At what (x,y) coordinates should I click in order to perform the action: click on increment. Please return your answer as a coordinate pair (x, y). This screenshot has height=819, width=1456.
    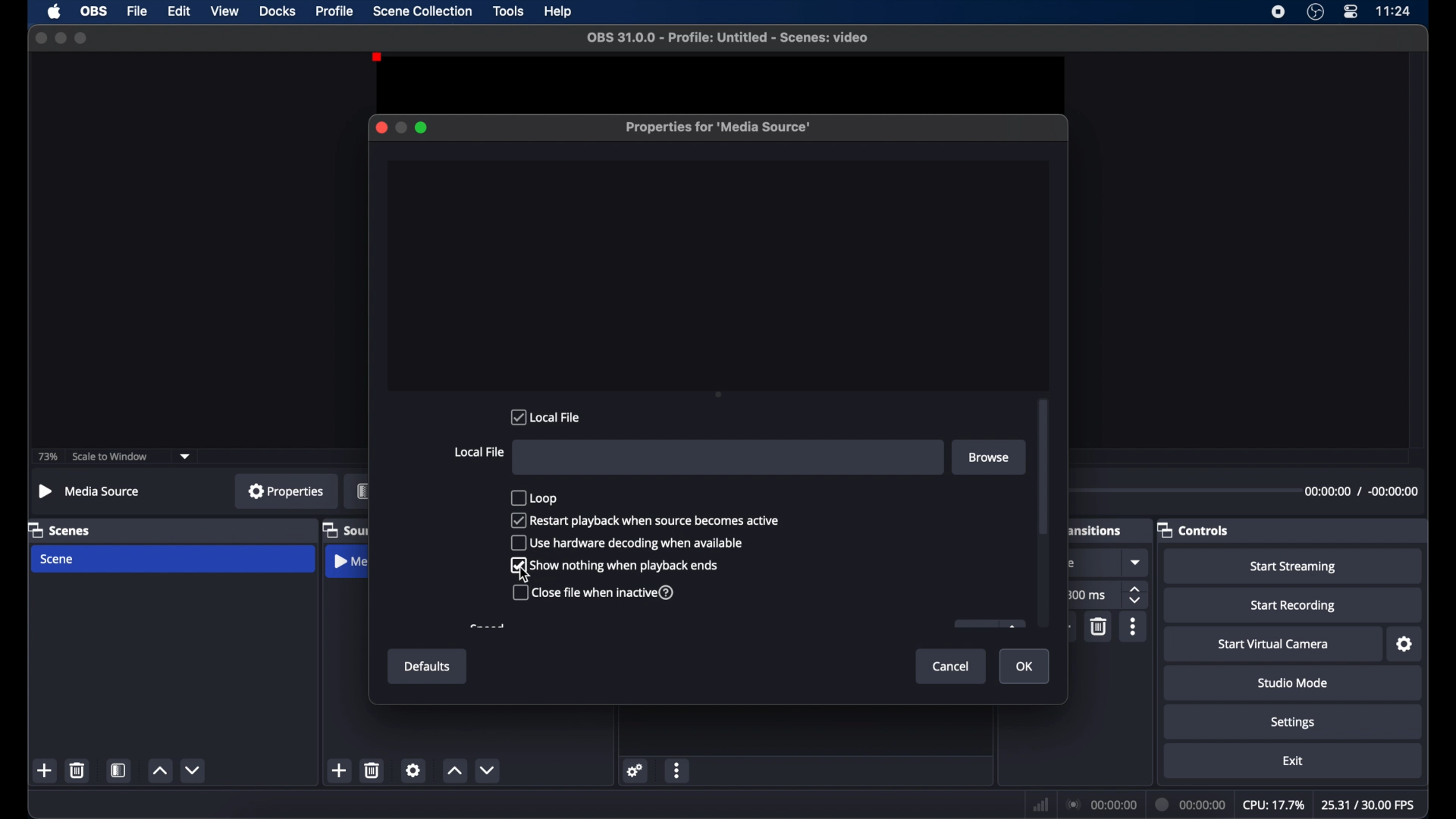
    Looking at the image, I should click on (454, 771).